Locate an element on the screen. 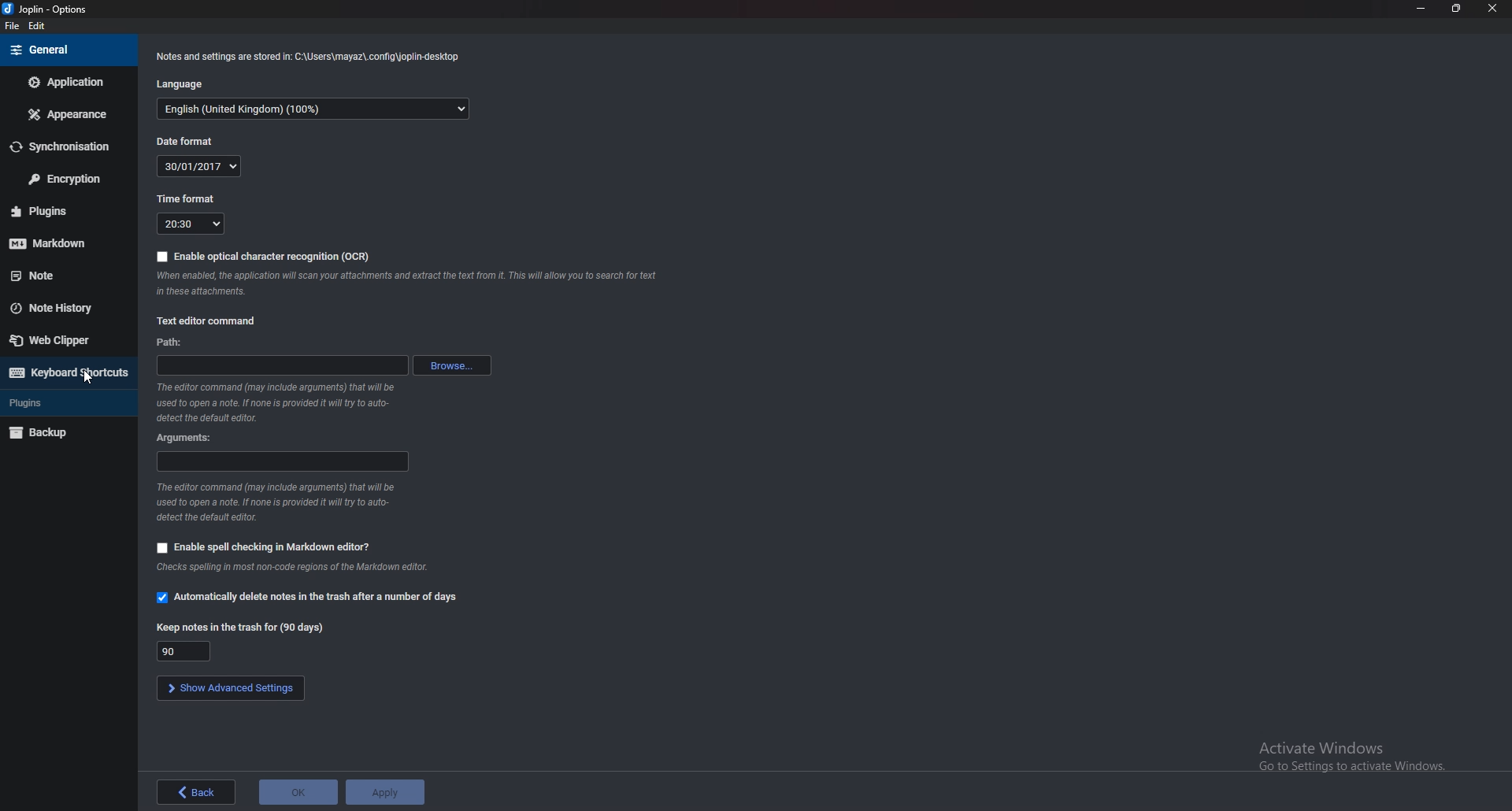 The height and width of the screenshot is (811, 1512). info is located at coordinates (277, 502).